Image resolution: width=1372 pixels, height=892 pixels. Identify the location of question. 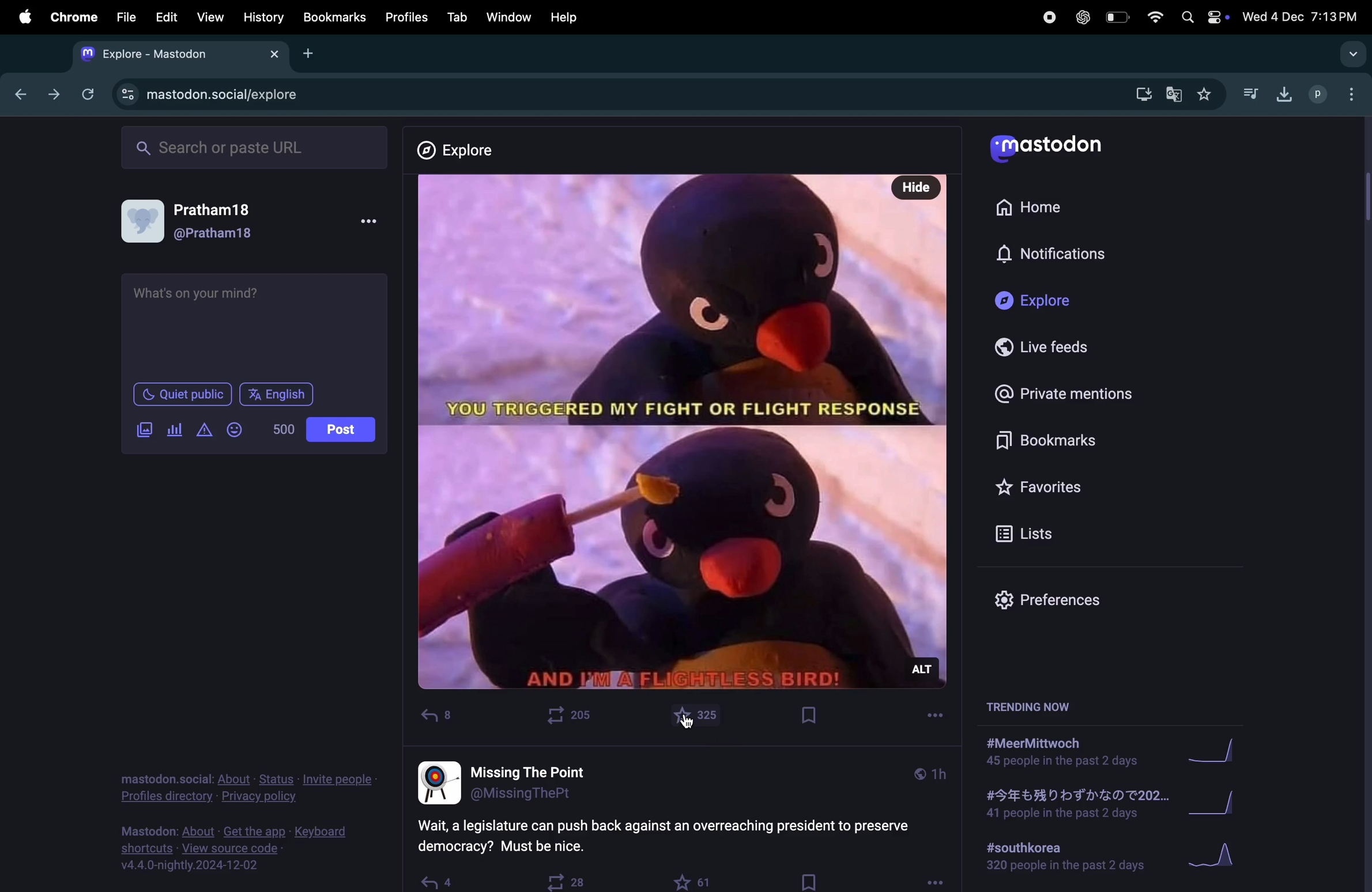
(679, 836).